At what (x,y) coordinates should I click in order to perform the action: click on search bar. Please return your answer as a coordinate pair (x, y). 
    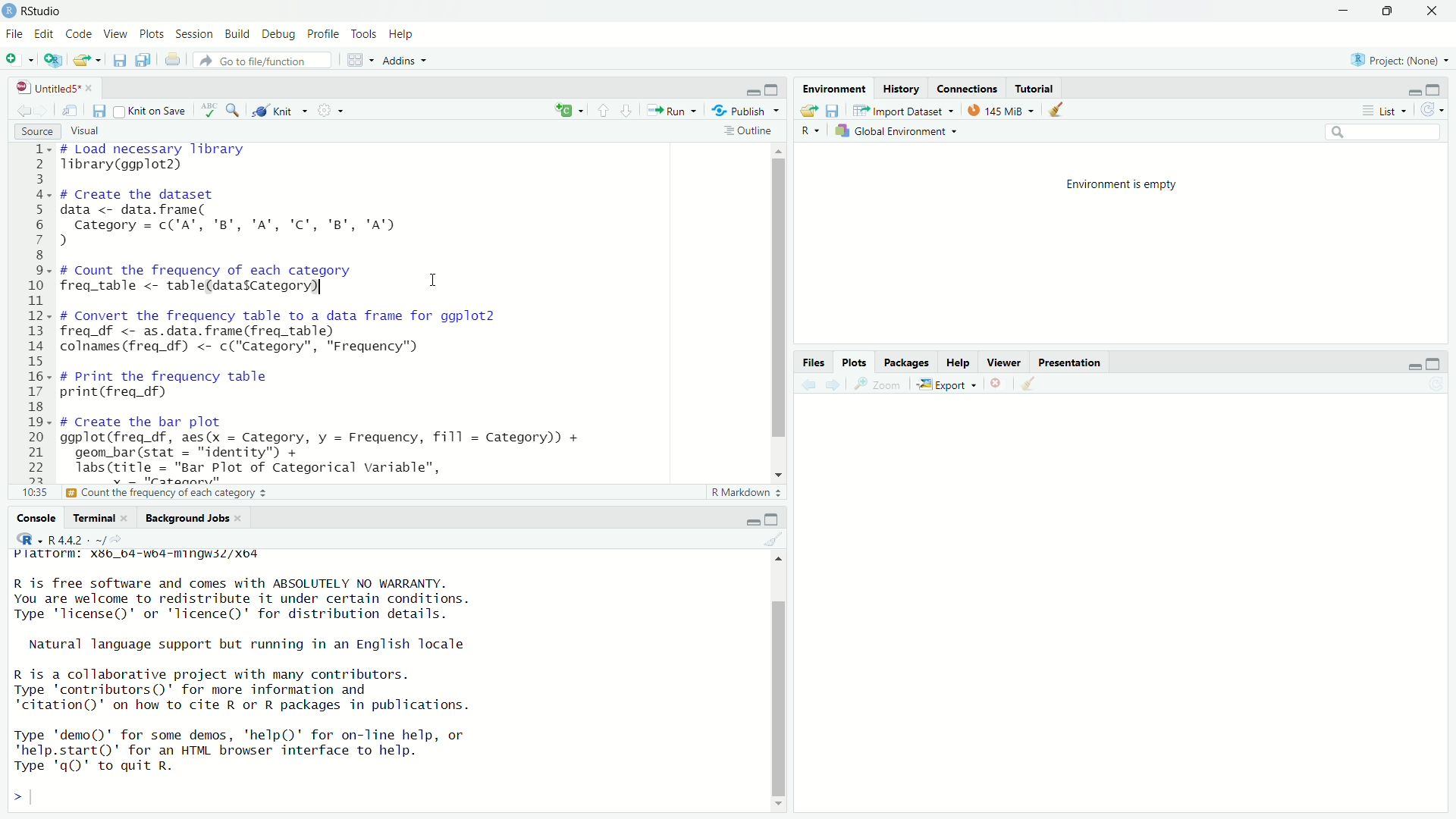
    Looking at the image, I should click on (1380, 132).